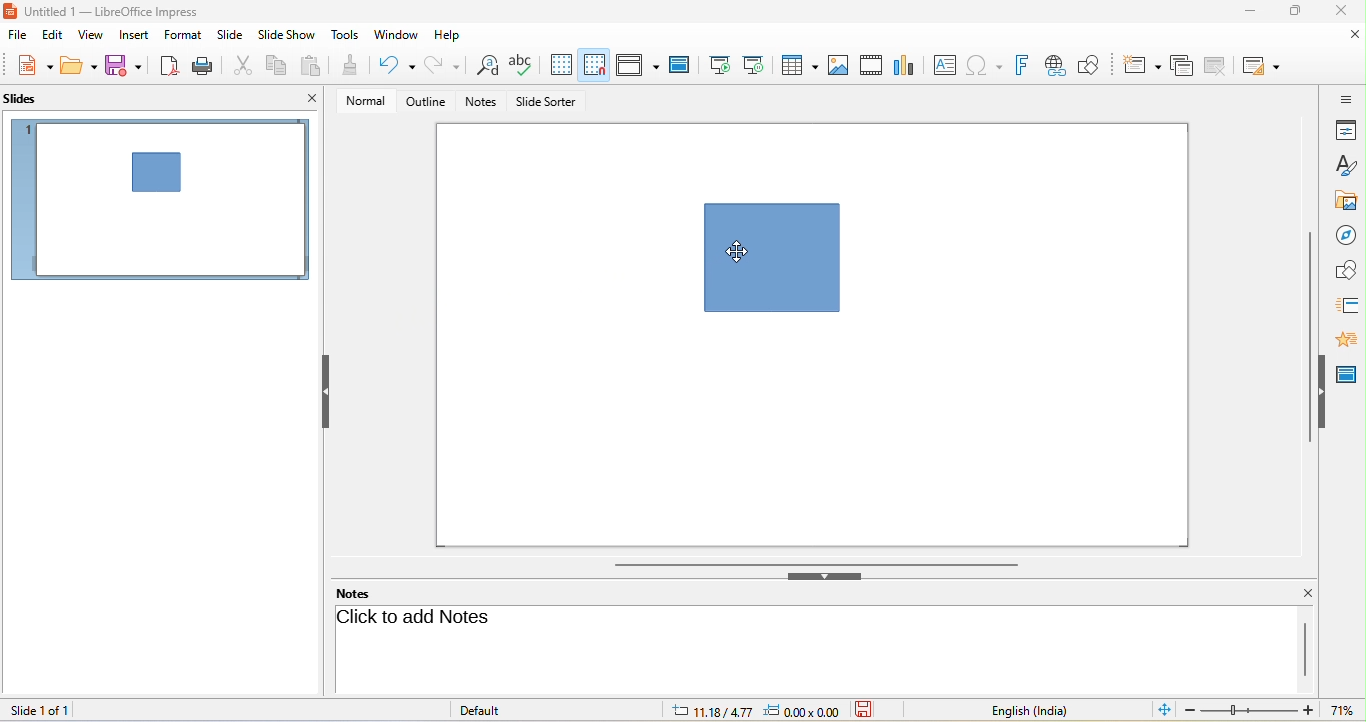 This screenshot has height=722, width=1366. I want to click on zoom, so click(1273, 710).